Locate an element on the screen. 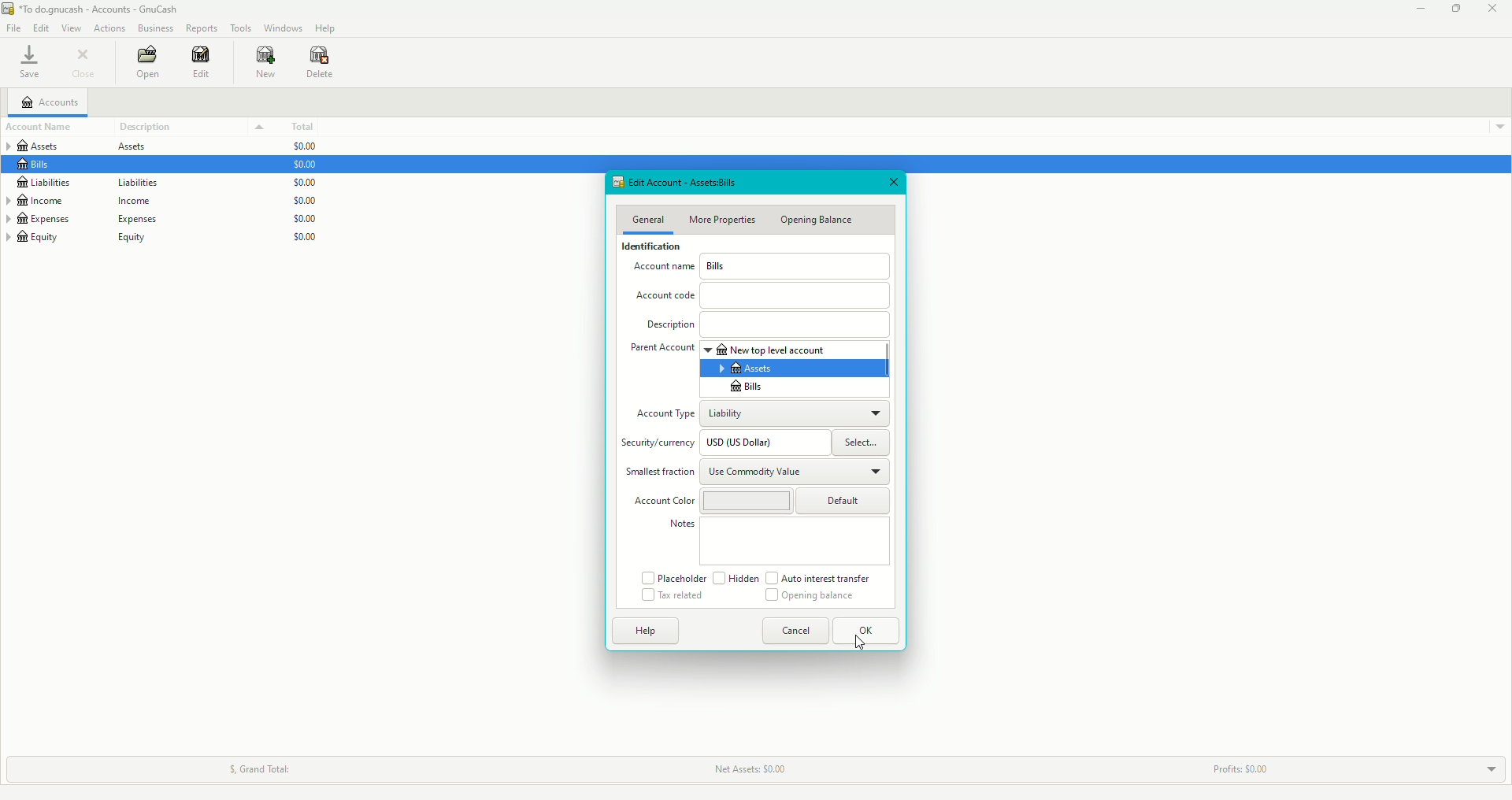  View is located at coordinates (73, 29).